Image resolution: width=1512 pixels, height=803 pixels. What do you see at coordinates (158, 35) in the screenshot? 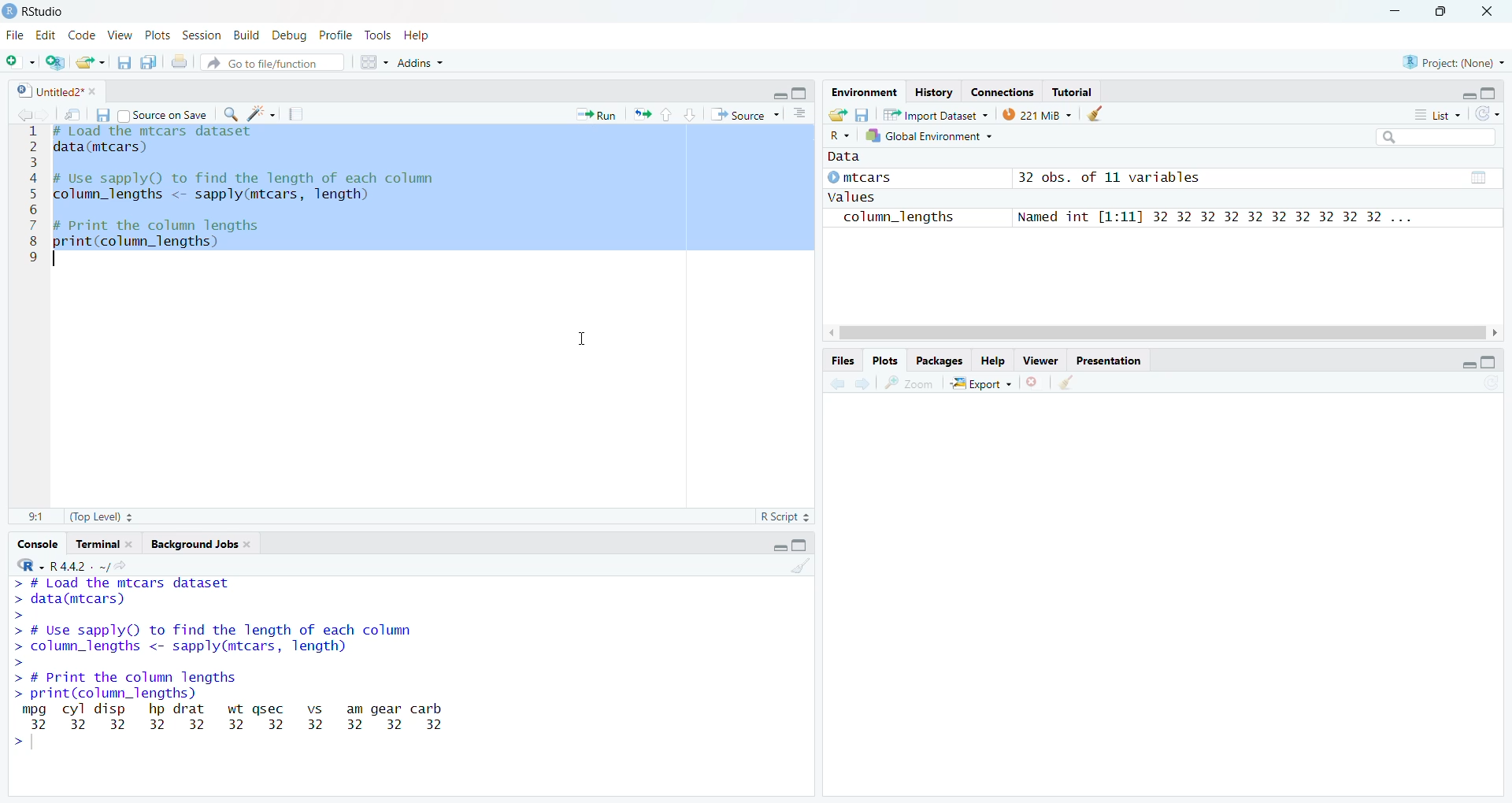
I see `Plots` at bounding box center [158, 35].